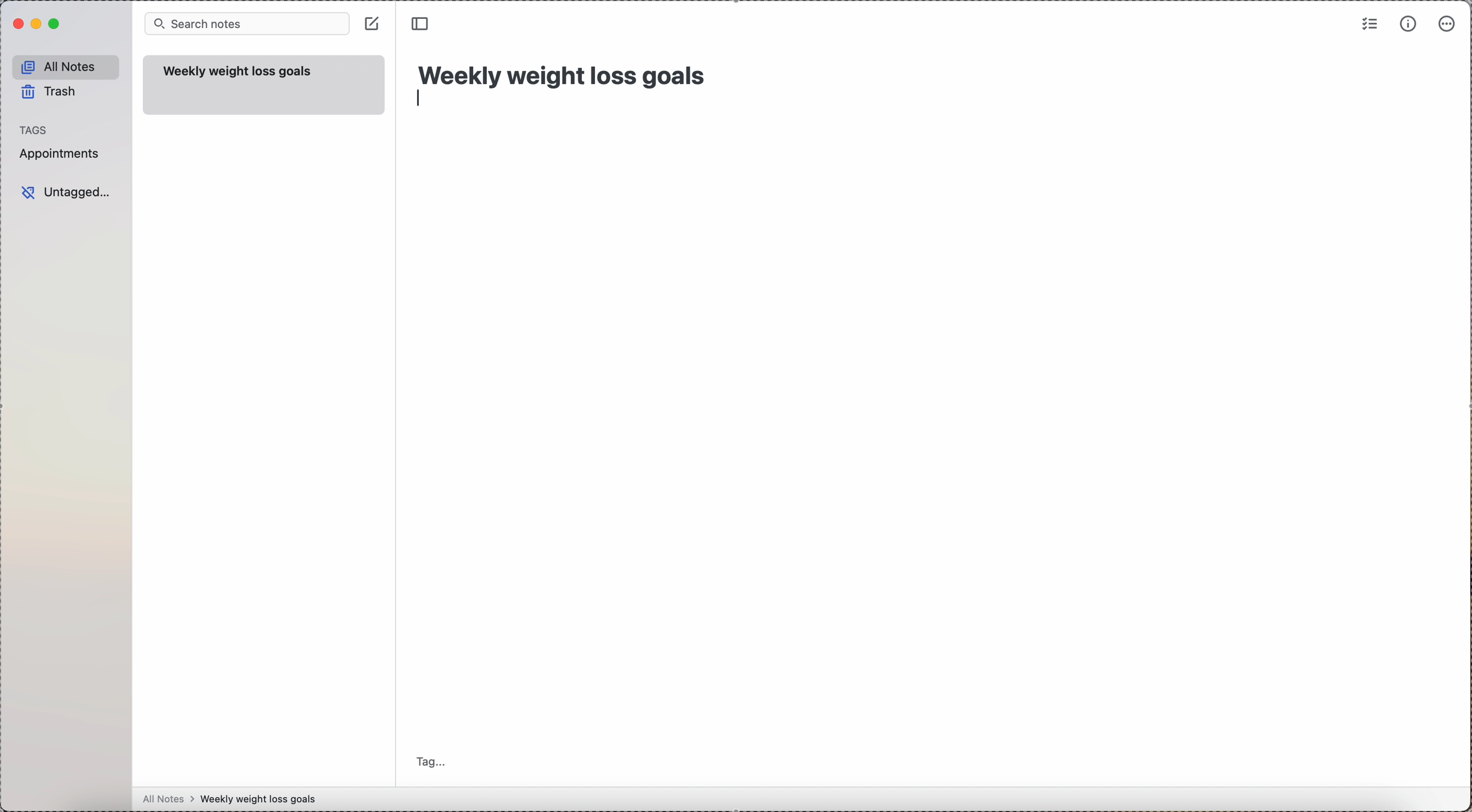  I want to click on appointments, so click(62, 155).